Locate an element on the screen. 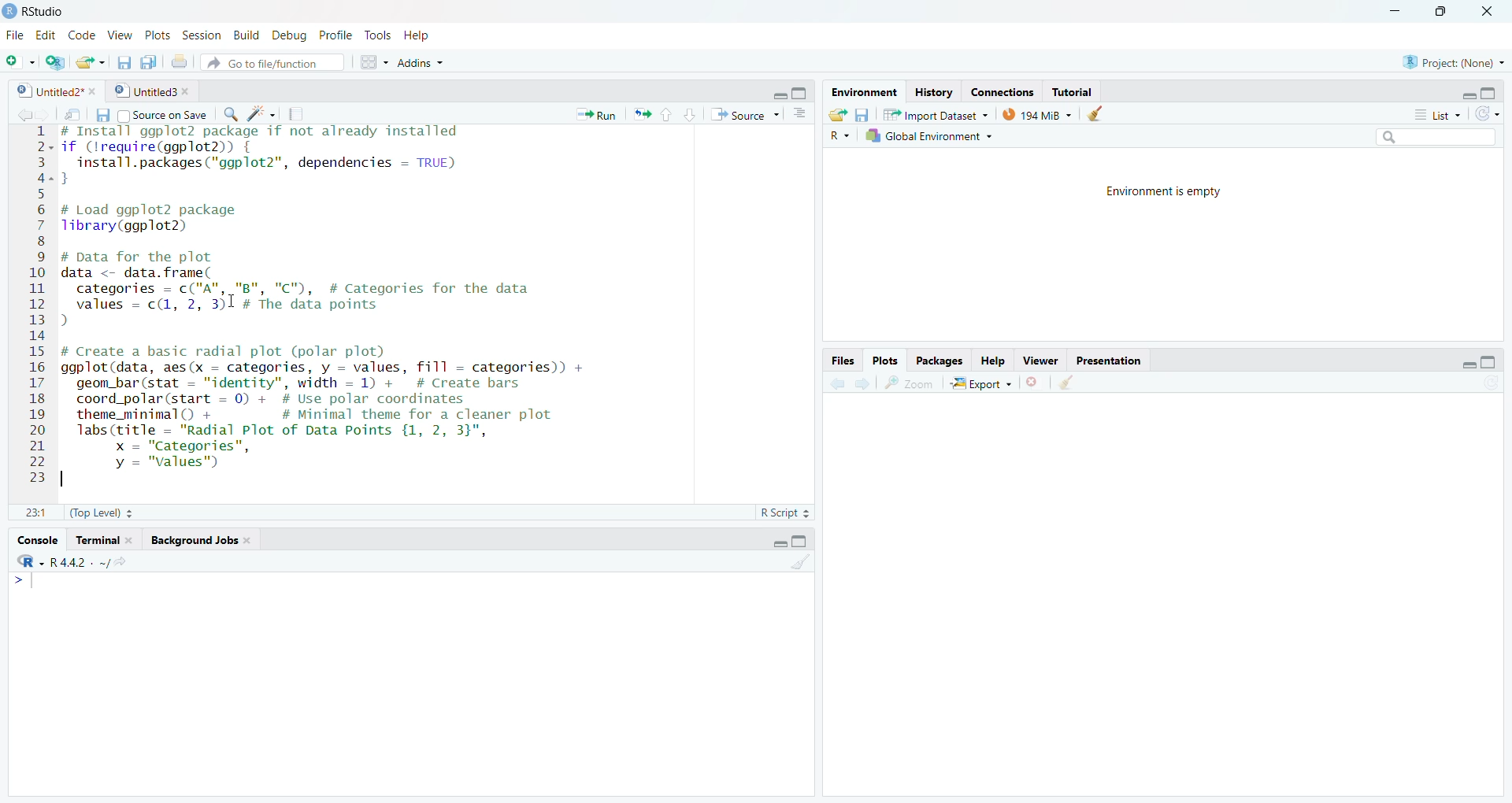 The width and height of the screenshot is (1512, 803). Cleaner objects is located at coordinates (1100, 114).